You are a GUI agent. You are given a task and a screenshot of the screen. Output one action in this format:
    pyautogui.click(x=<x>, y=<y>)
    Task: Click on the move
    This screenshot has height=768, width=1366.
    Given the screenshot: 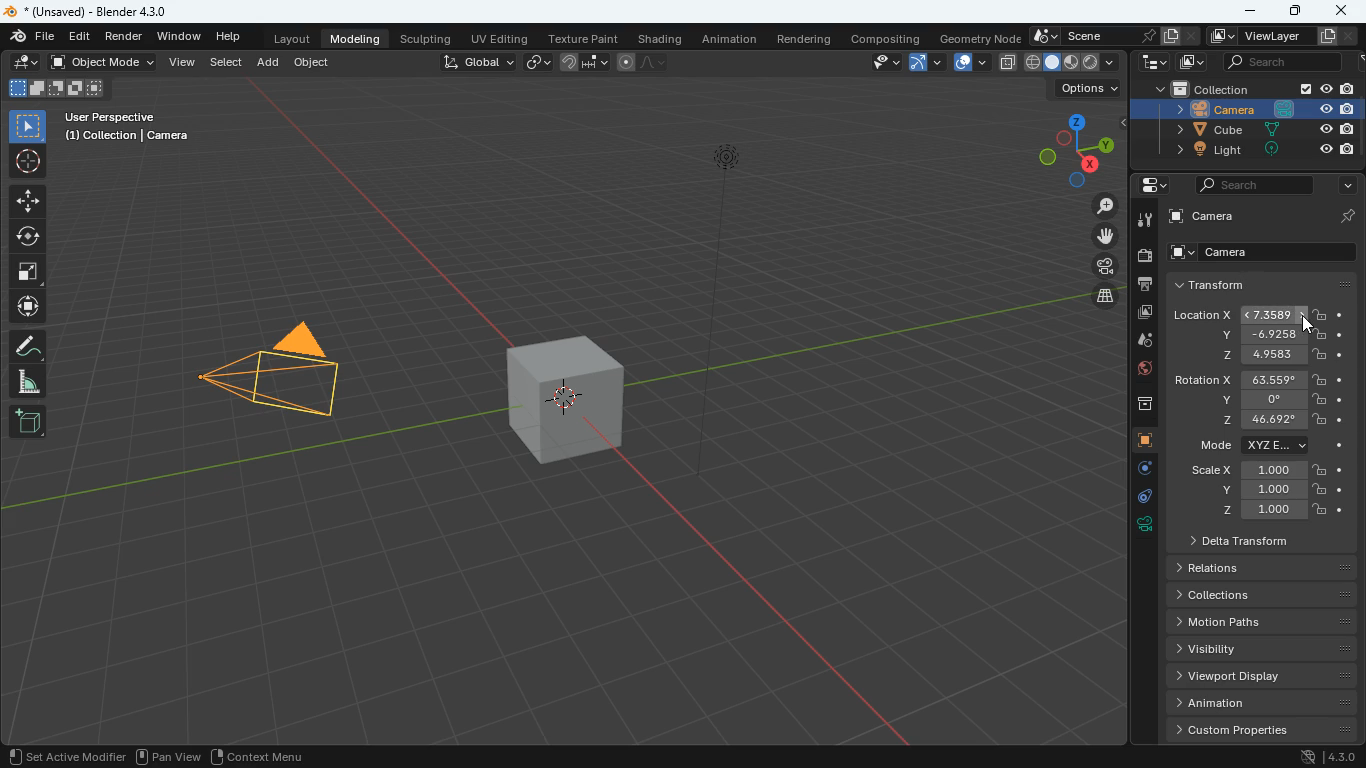 What is the action you would take?
    pyautogui.click(x=29, y=200)
    